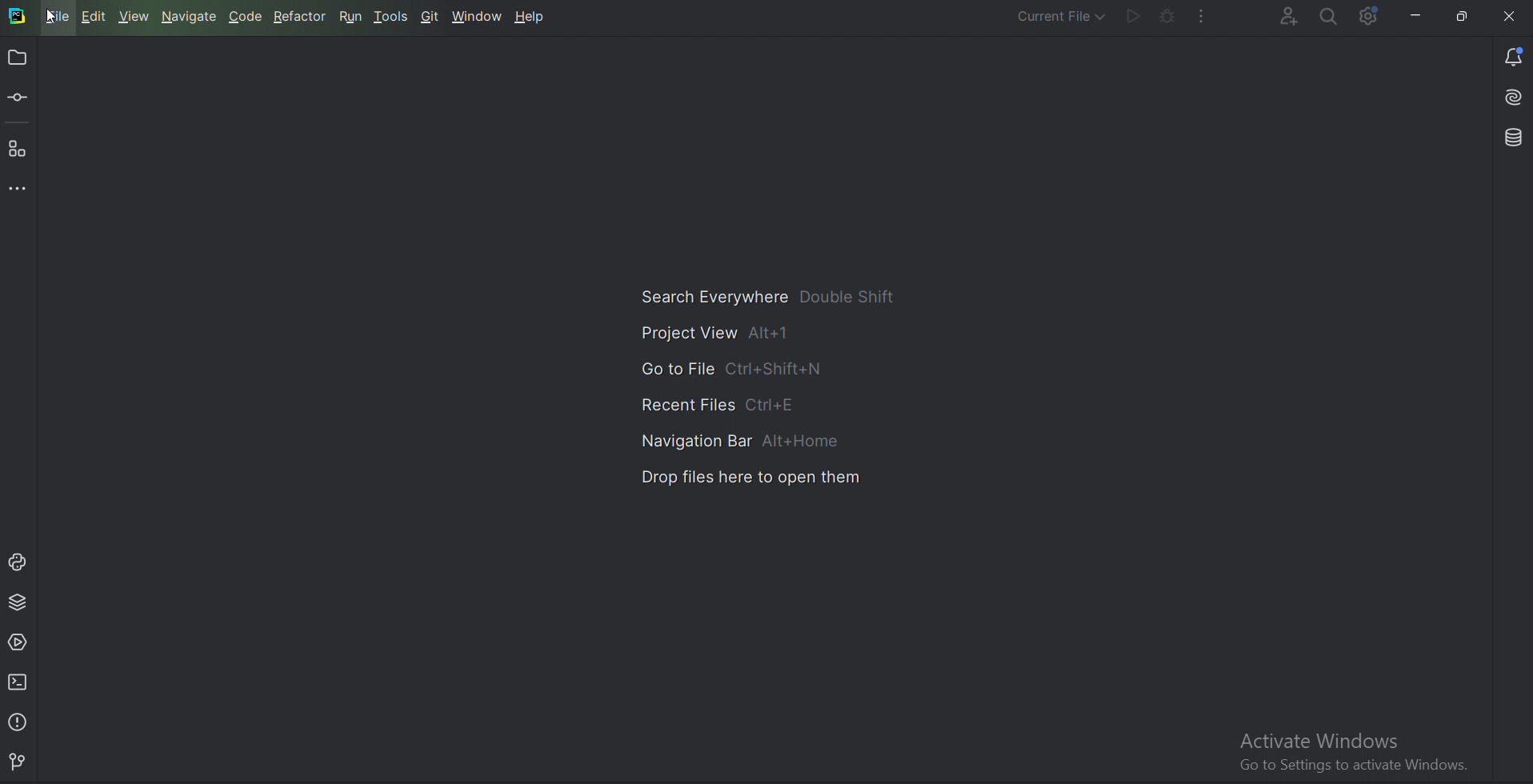 This screenshot has height=784, width=1533. I want to click on Debug, so click(1167, 16).